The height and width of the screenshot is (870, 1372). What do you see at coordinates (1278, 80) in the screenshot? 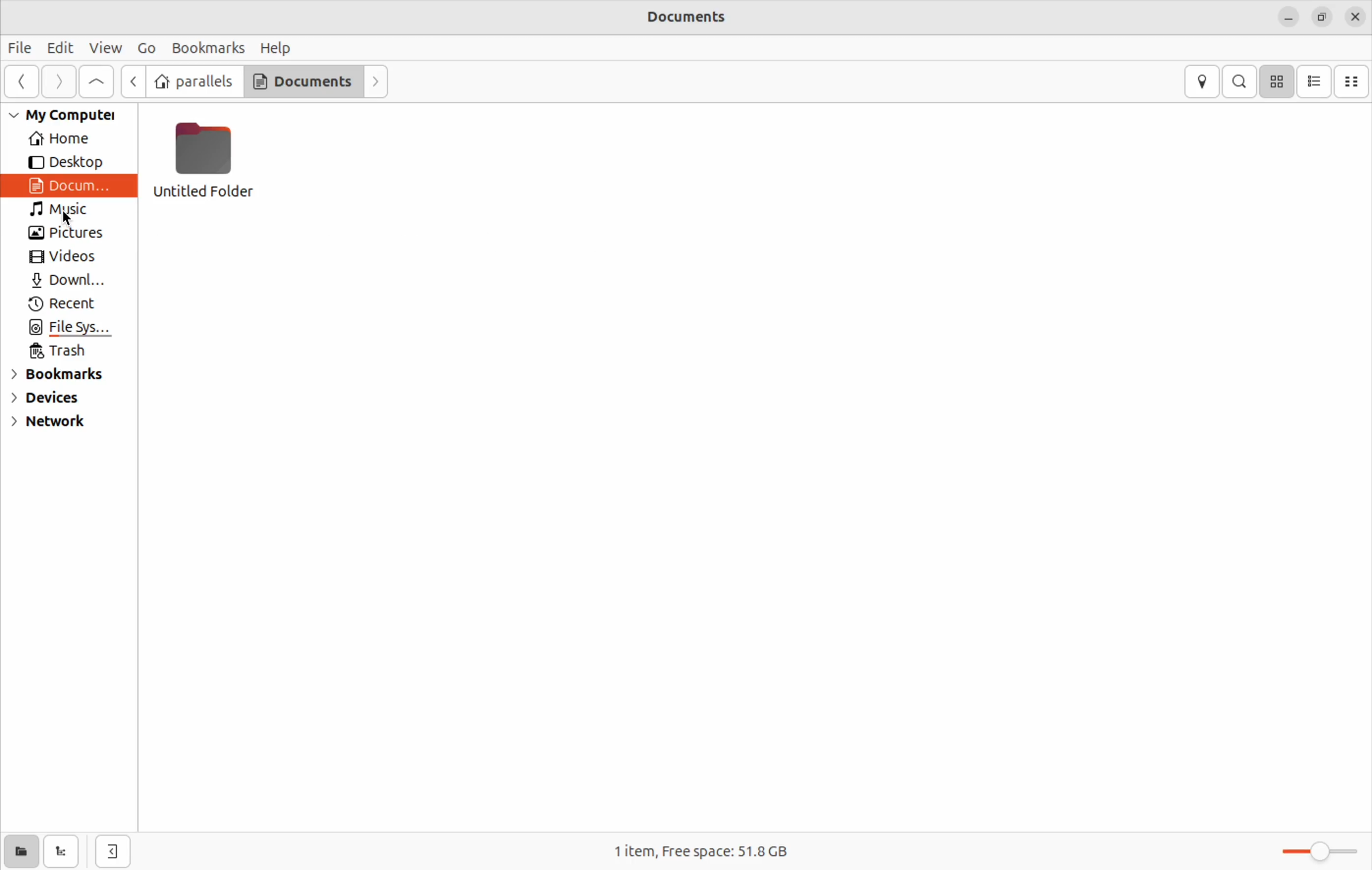
I see `icon view` at bounding box center [1278, 80].